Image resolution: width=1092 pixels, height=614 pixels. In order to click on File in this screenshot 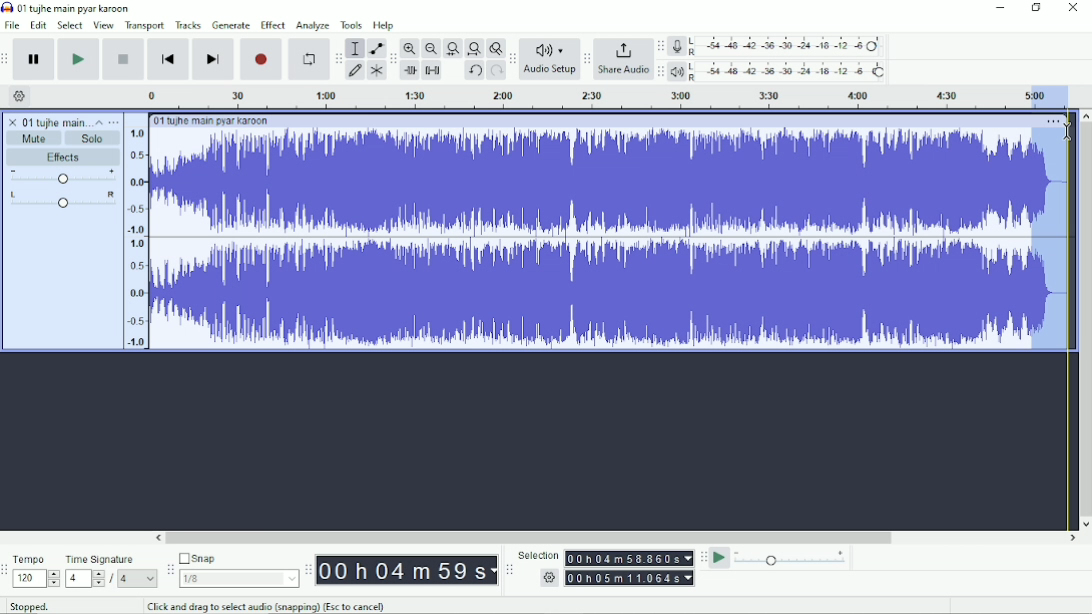, I will do `click(13, 26)`.